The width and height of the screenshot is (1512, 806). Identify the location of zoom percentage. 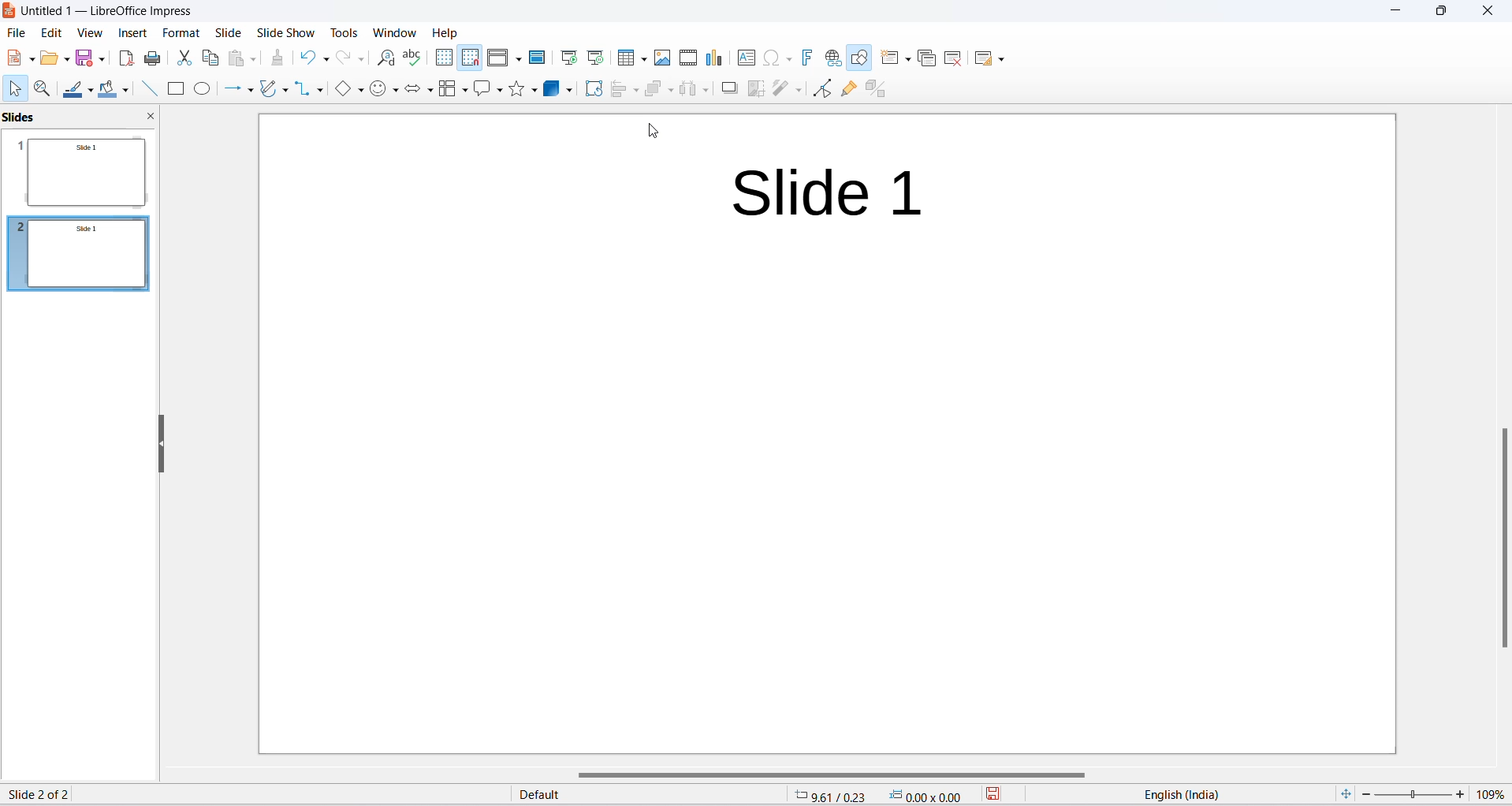
(1493, 794).